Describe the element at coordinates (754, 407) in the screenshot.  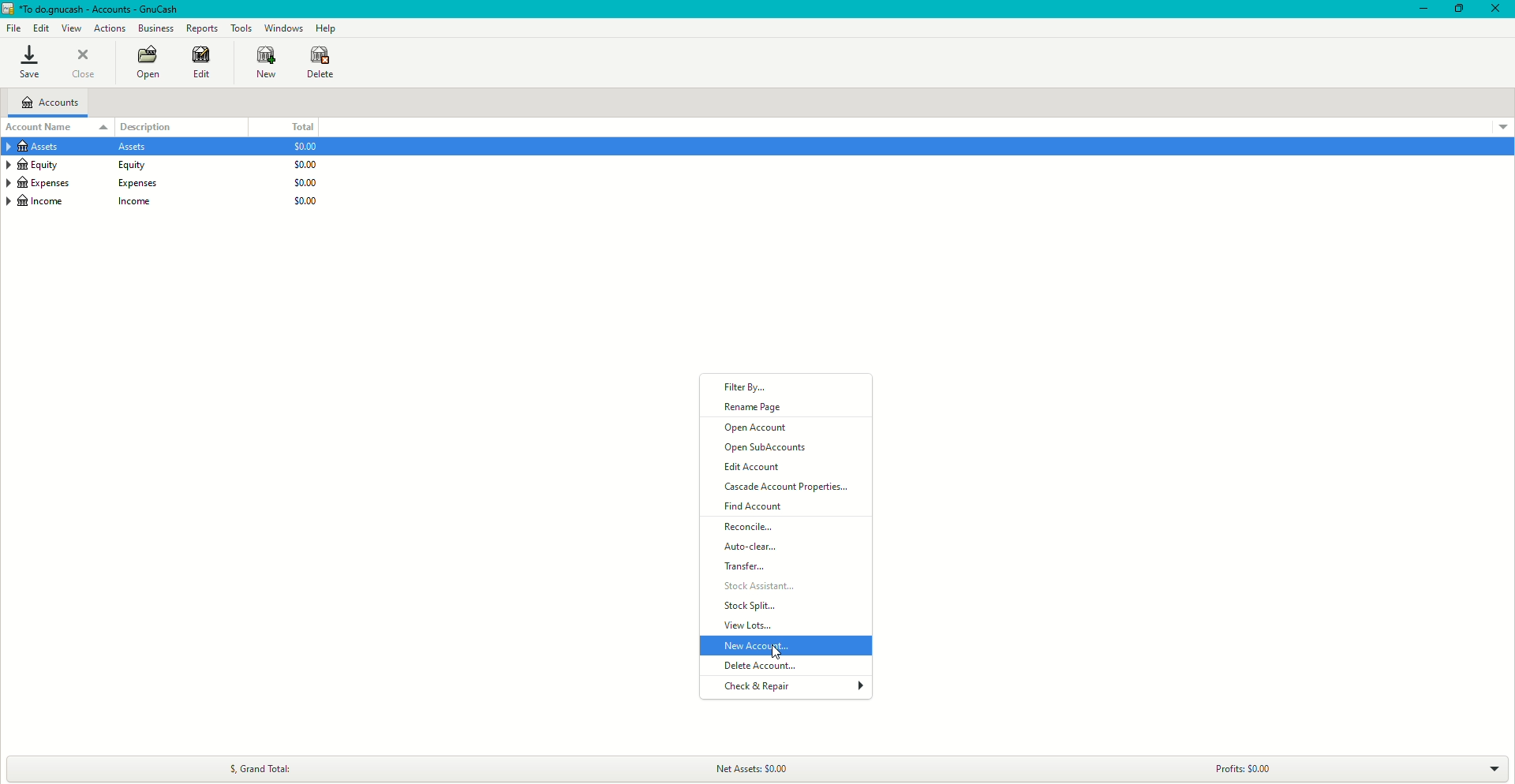
I see `Rename Page` at that location.